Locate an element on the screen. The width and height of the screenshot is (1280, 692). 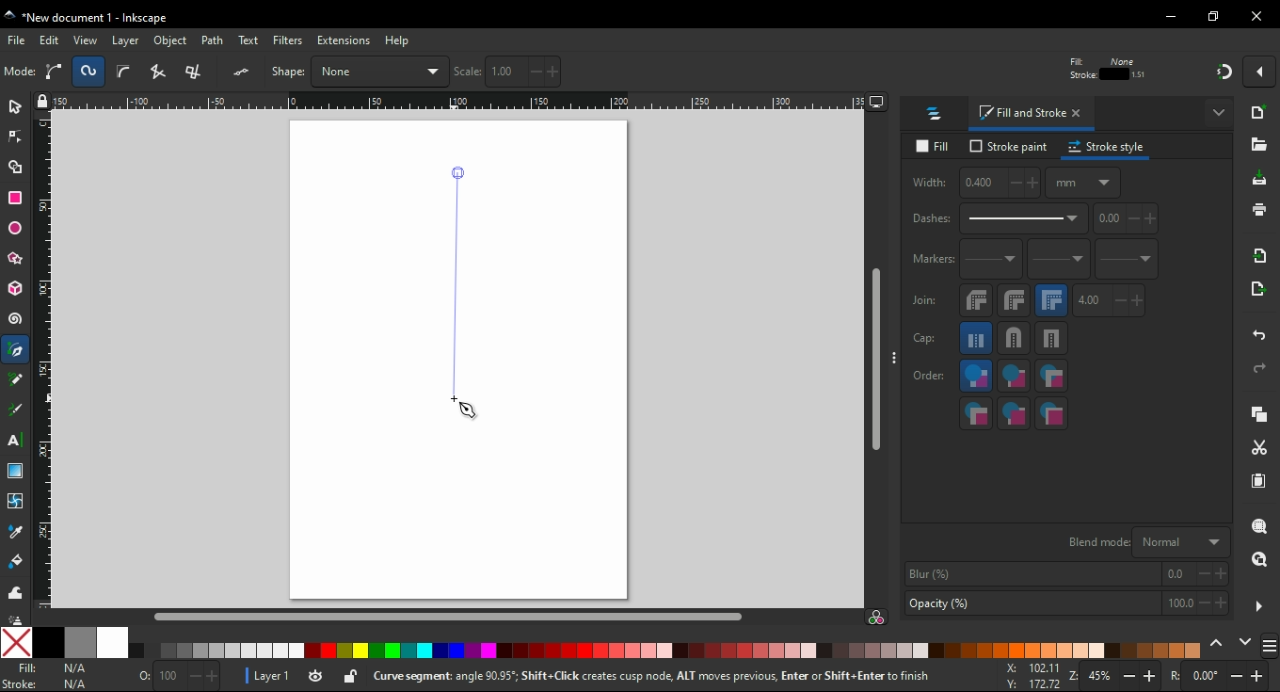
path is located at coordinates (214, 40).